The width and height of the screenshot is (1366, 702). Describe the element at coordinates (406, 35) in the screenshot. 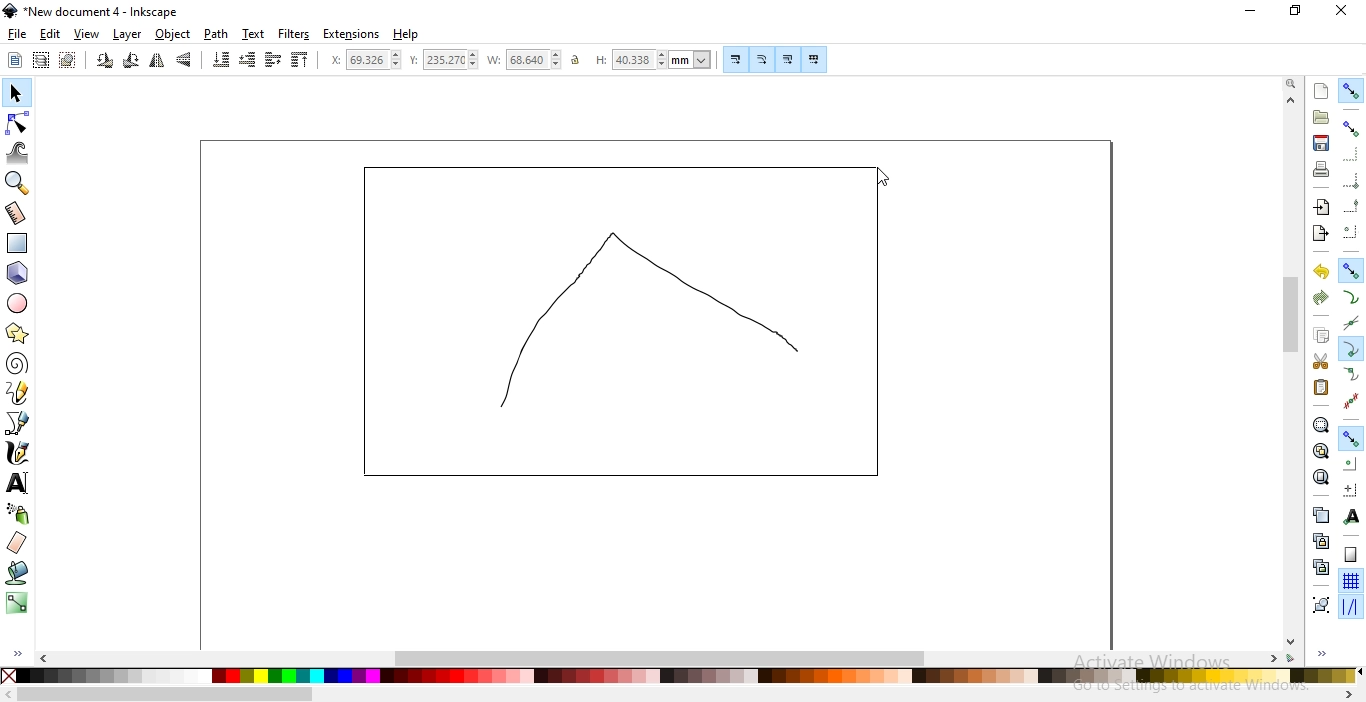

I see `help` at that location.